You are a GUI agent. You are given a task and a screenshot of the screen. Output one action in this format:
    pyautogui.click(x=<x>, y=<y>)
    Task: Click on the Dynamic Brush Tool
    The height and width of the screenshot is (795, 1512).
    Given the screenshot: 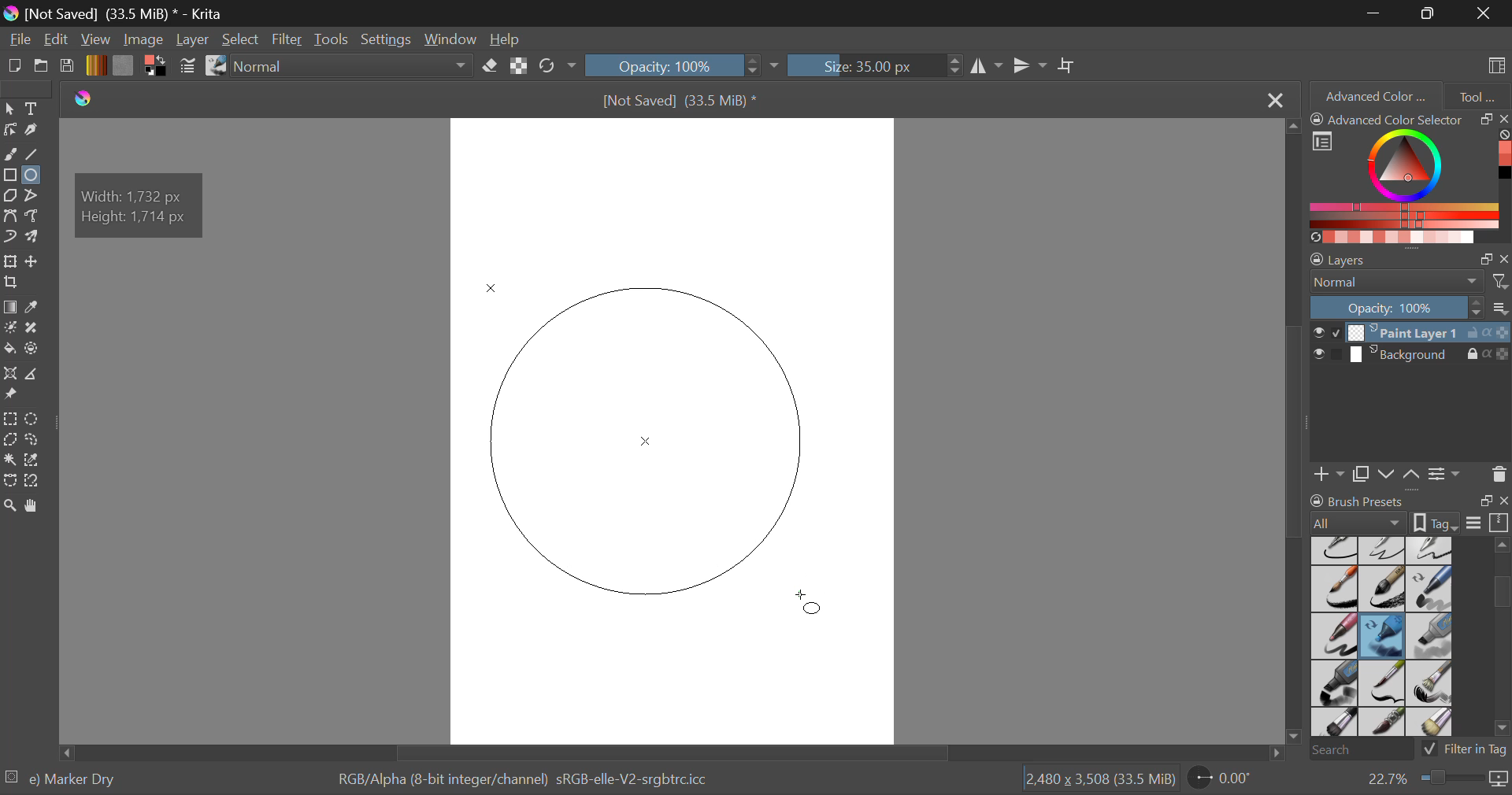 What is the action you would take?
    pyautogui.click(x=9, y=238)
    